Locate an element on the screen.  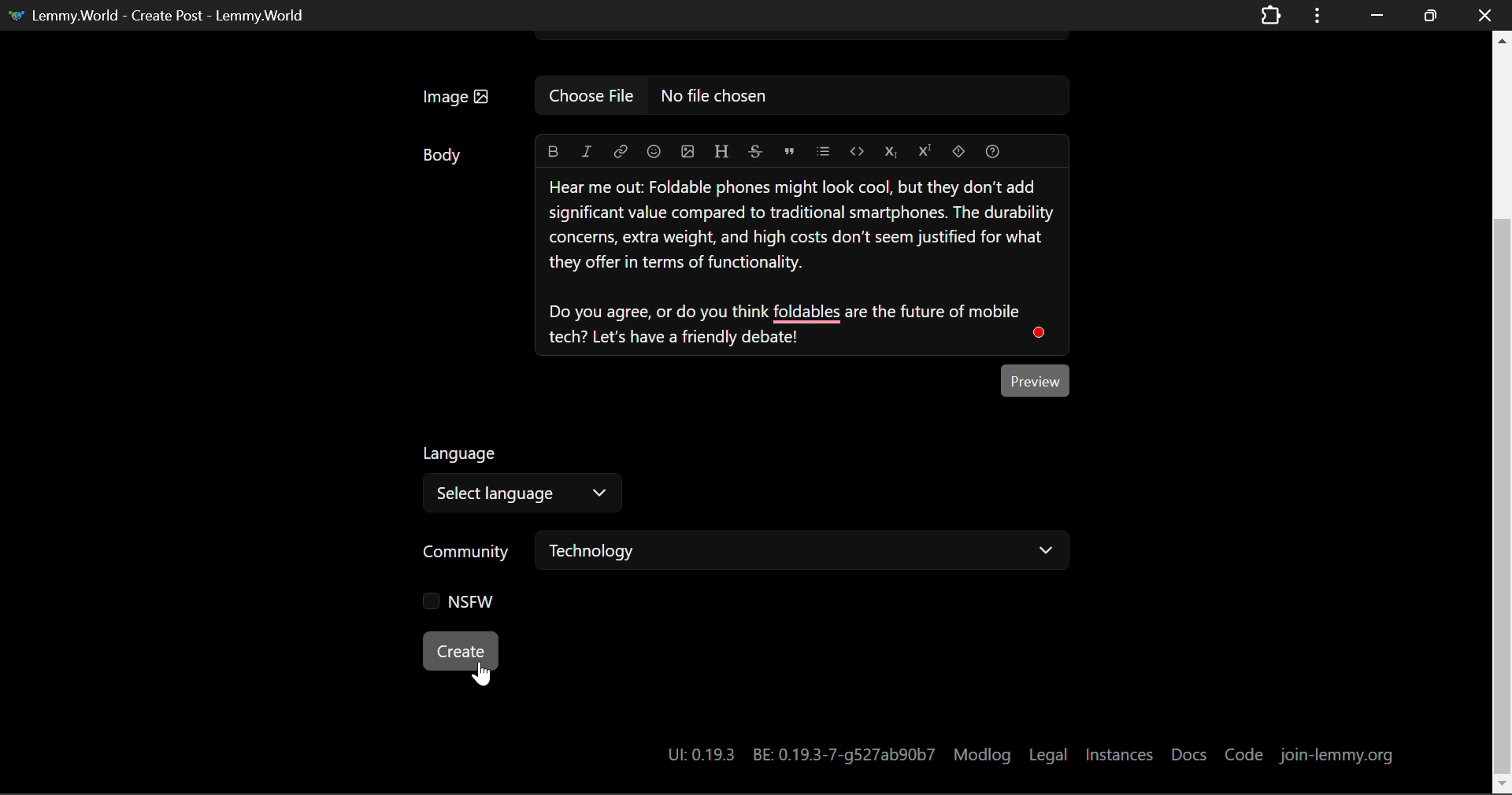
System Details is located at coordinates (795, 754).